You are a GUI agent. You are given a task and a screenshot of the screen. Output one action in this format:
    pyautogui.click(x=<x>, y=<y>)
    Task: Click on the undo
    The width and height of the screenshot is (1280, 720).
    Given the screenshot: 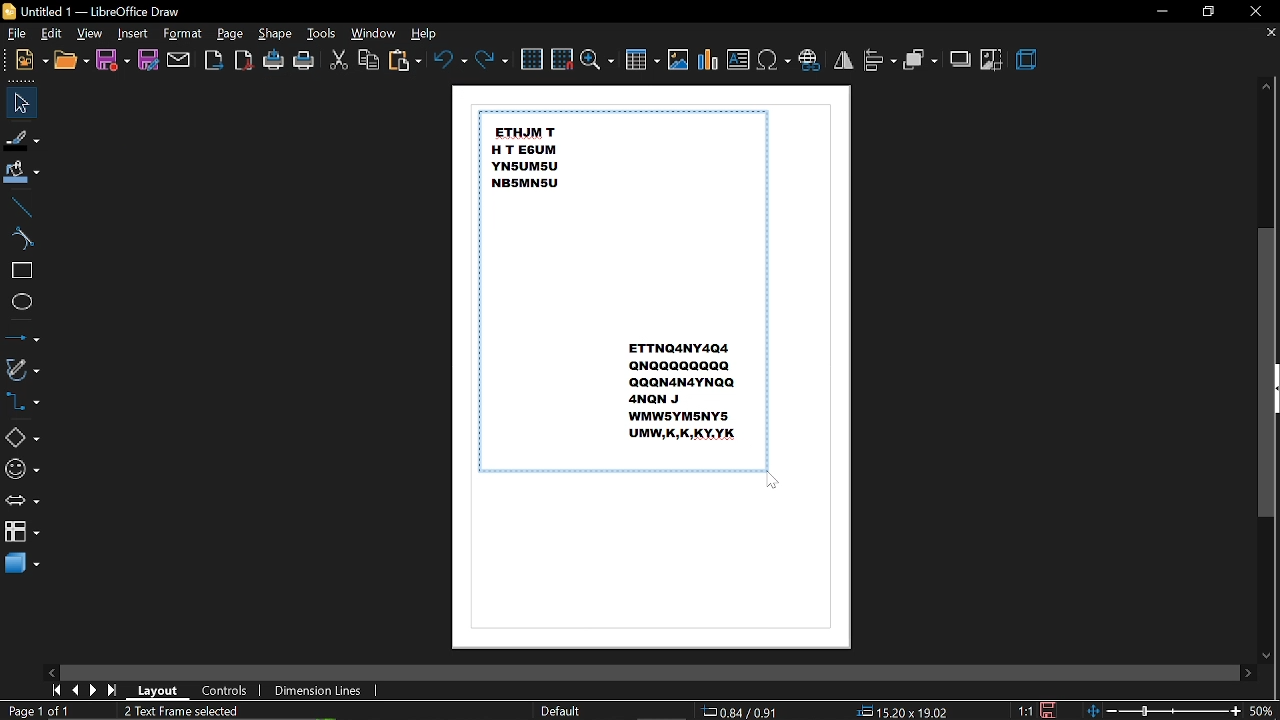 What is the action you would take?
    pyautogui.click(x=448, y=59)
    